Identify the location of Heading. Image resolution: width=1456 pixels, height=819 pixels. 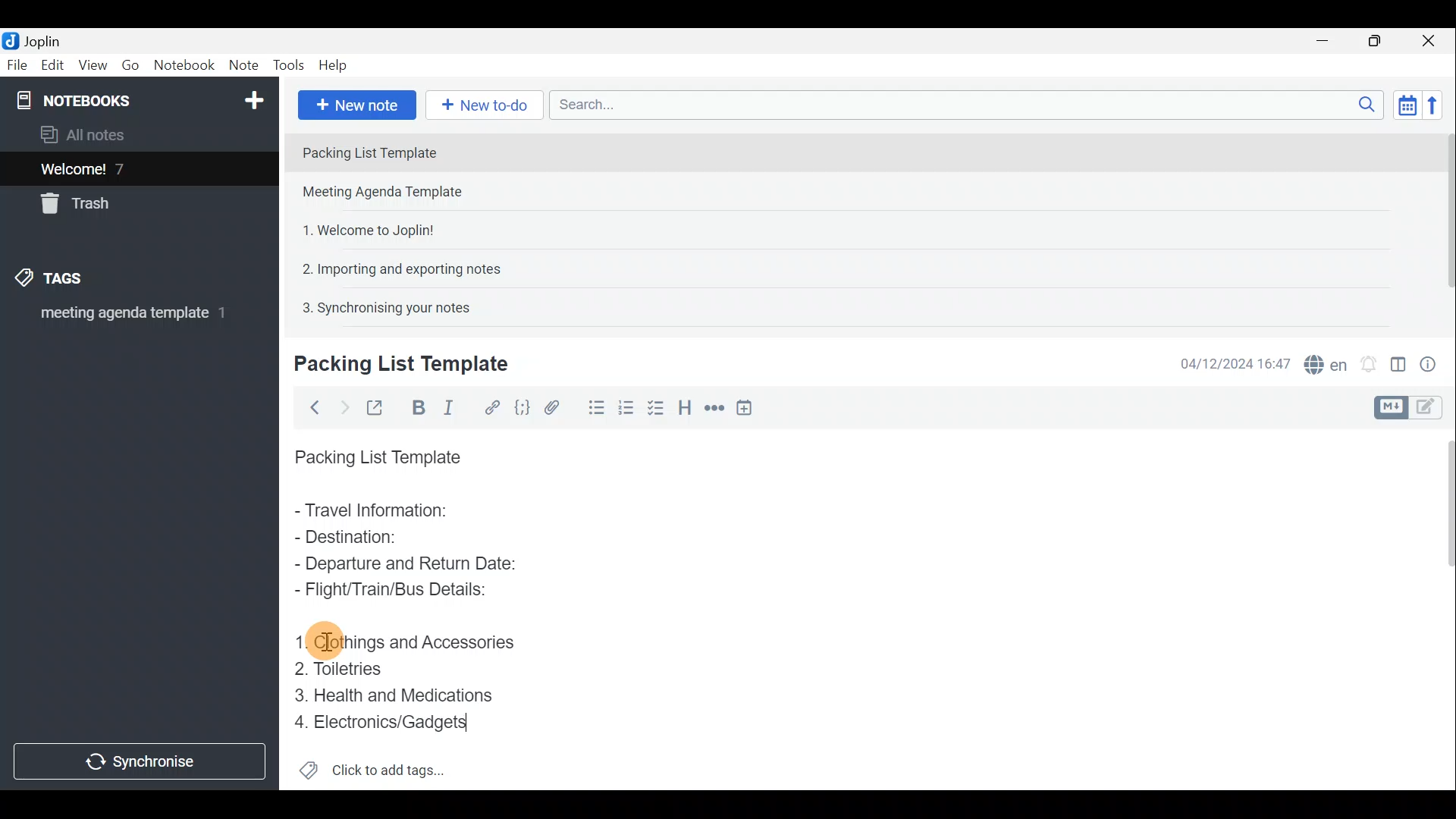
(686, 406).